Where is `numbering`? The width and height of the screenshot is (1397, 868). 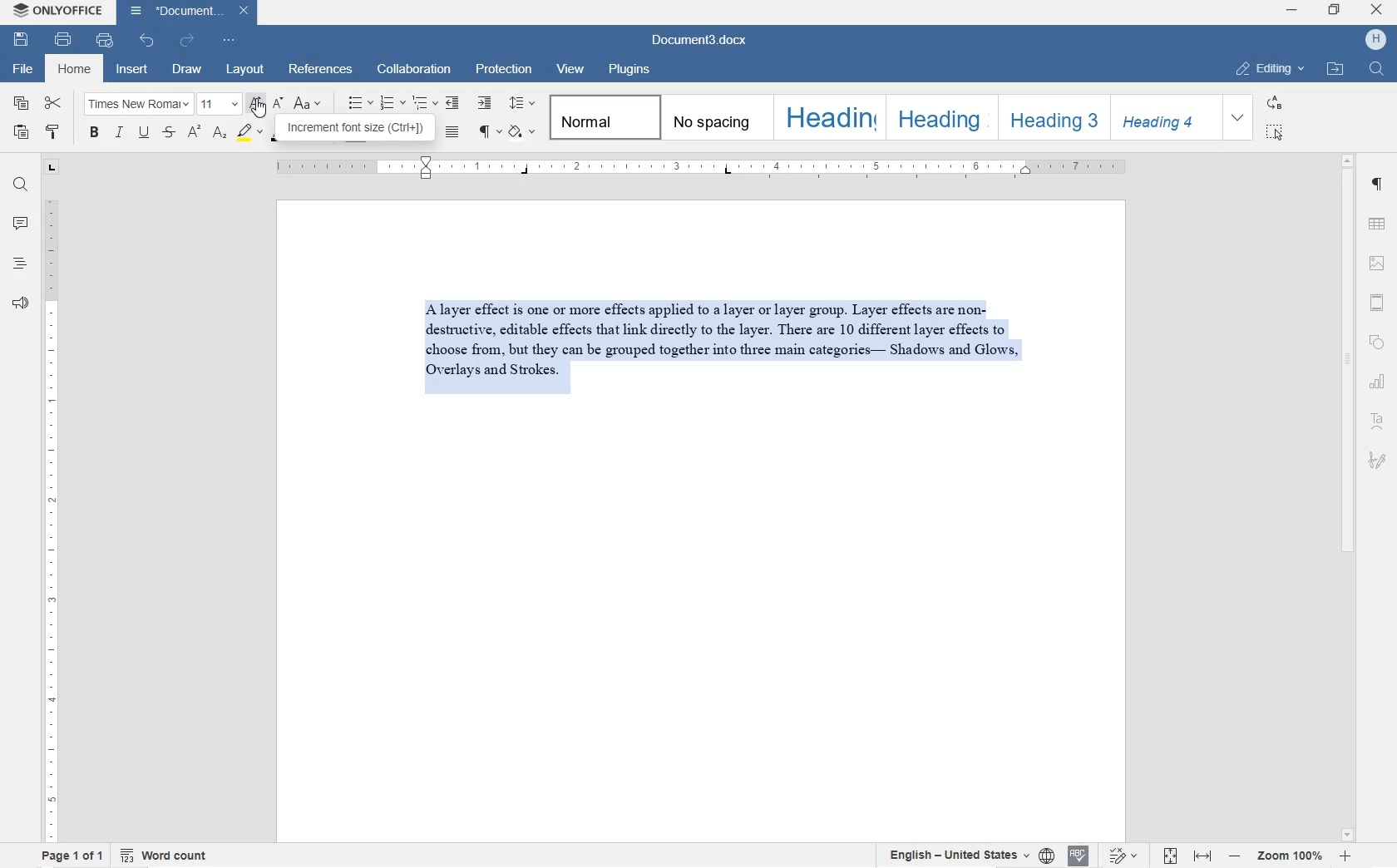 numbering is located at coordinates (392, 104).